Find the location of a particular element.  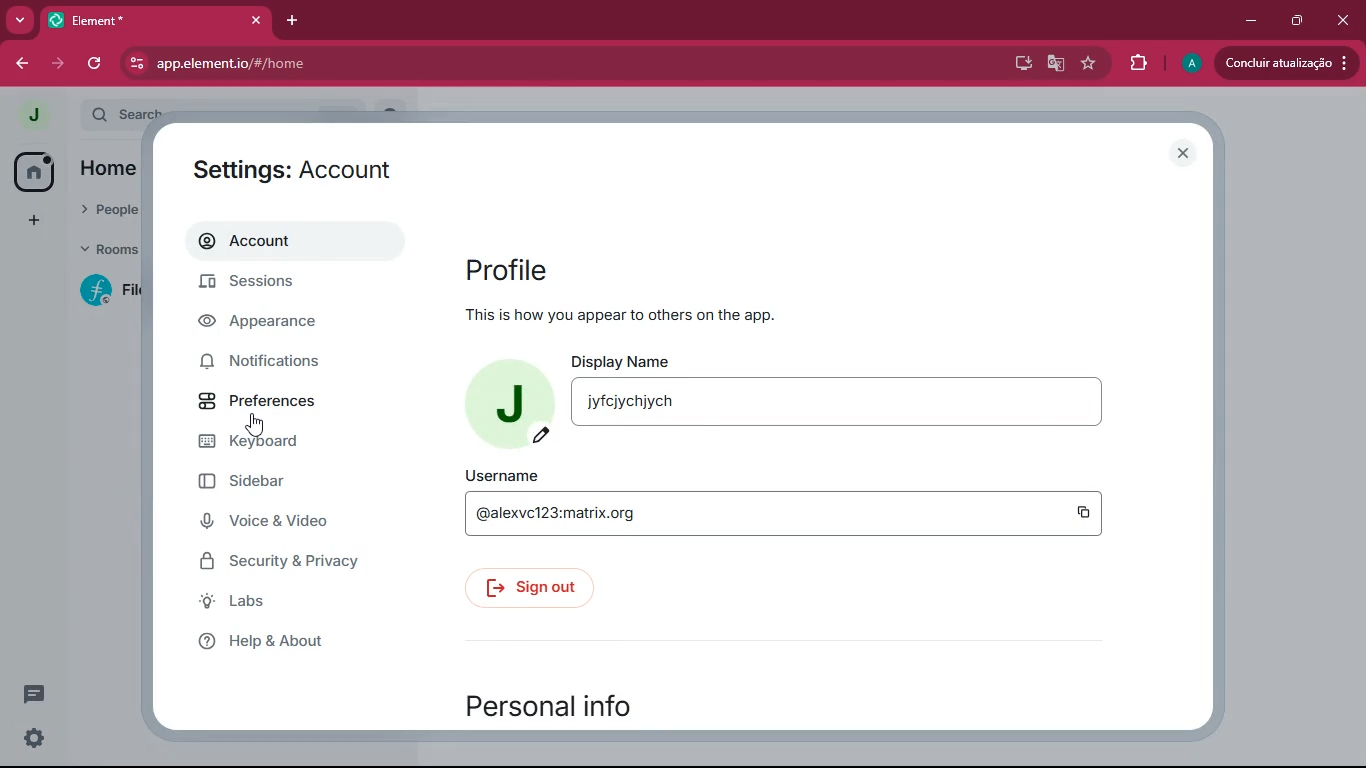

jyfcjychjych is located at coordinates (638, 402).